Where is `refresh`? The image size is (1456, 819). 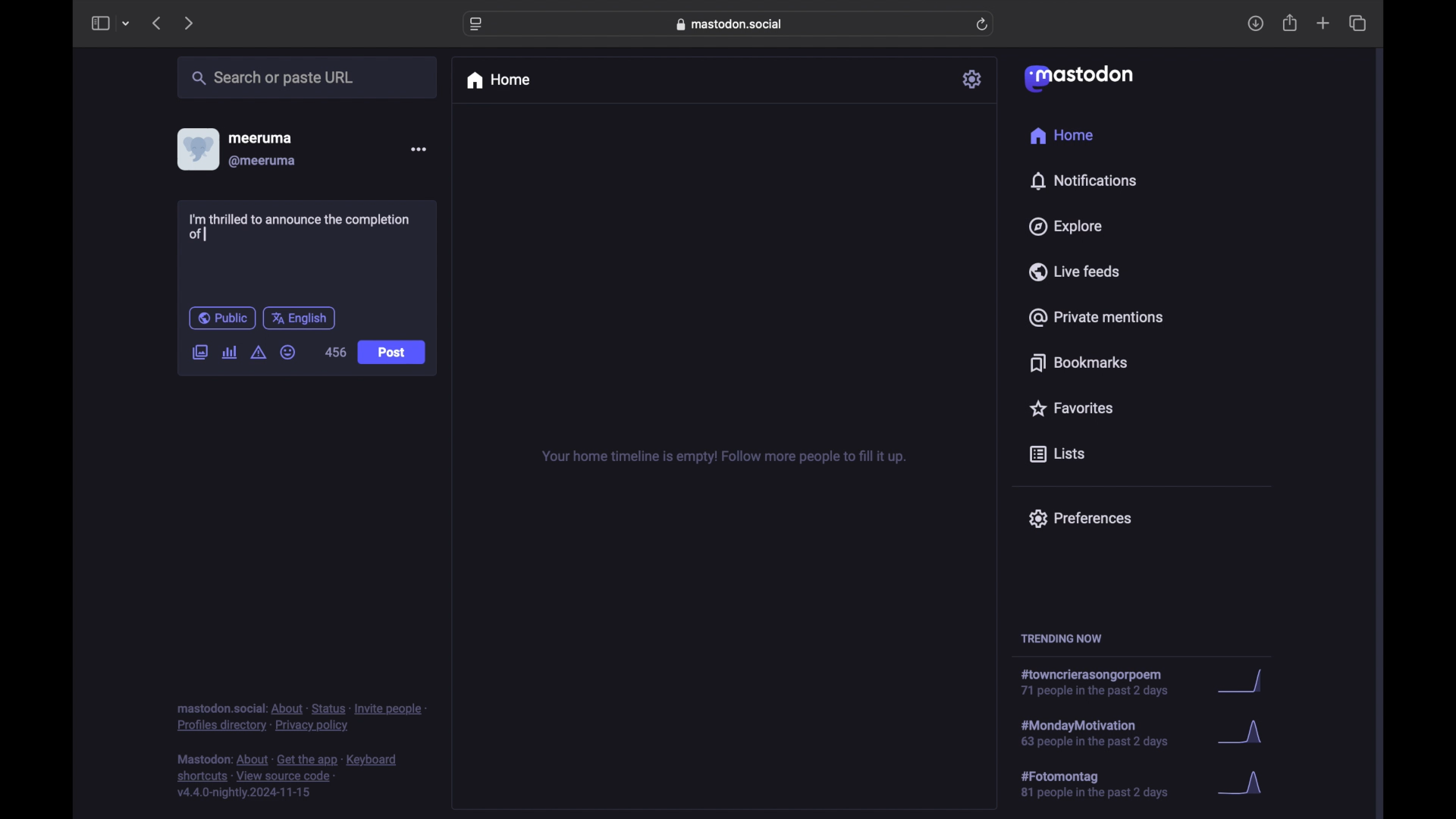 refresh is located at coordinates (982, 24).